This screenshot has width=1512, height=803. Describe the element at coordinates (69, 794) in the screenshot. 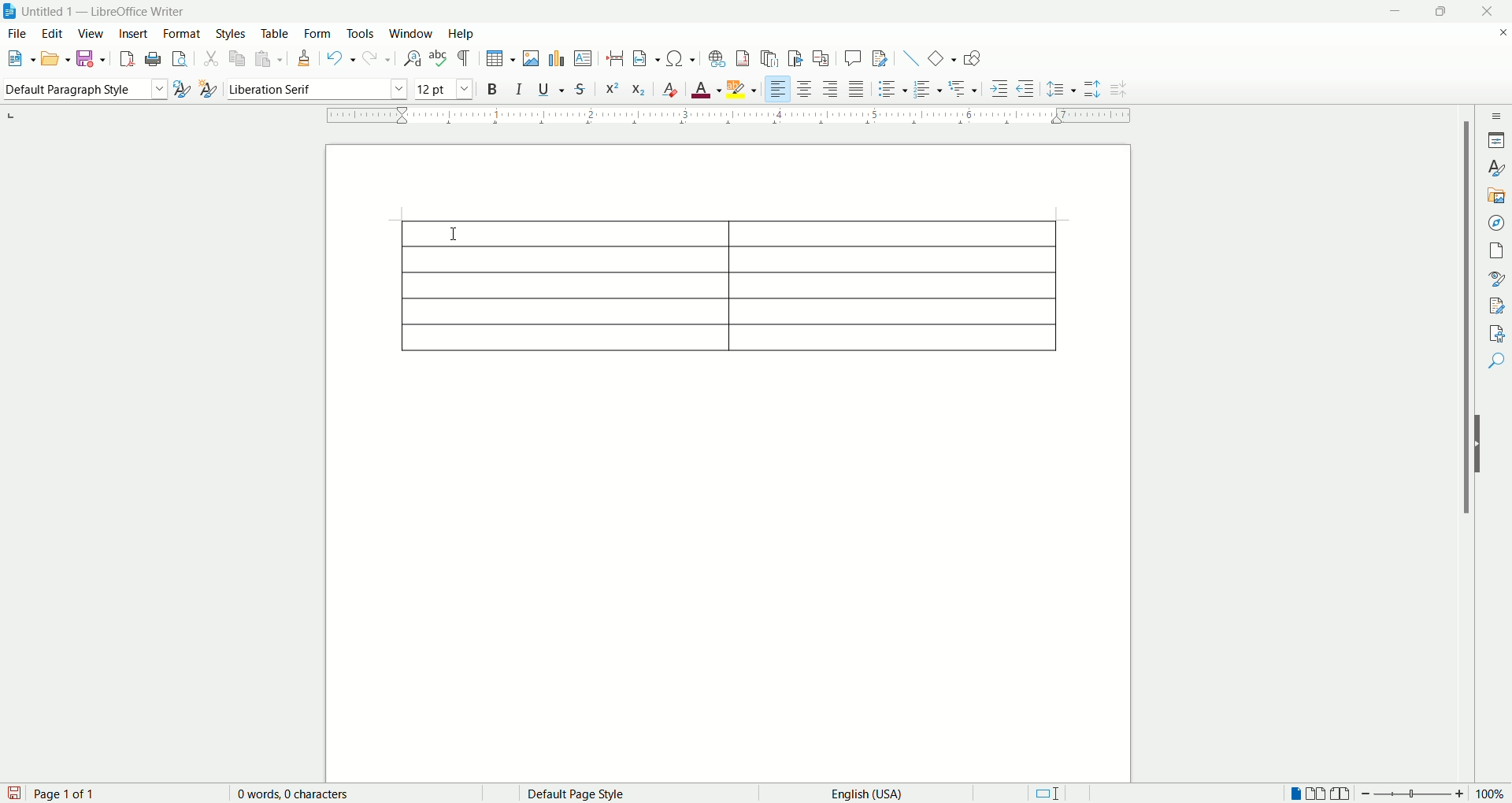

I see `page count` at that location.